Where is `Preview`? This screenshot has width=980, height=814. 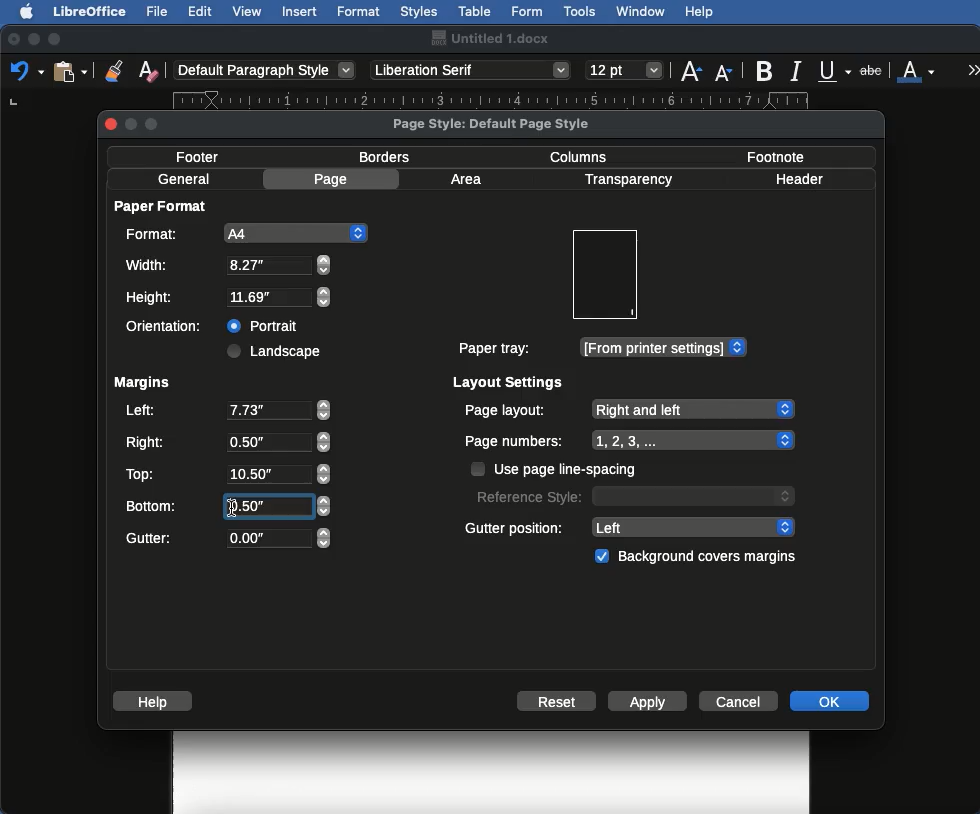 Preview is located at coordinates (604, 275).